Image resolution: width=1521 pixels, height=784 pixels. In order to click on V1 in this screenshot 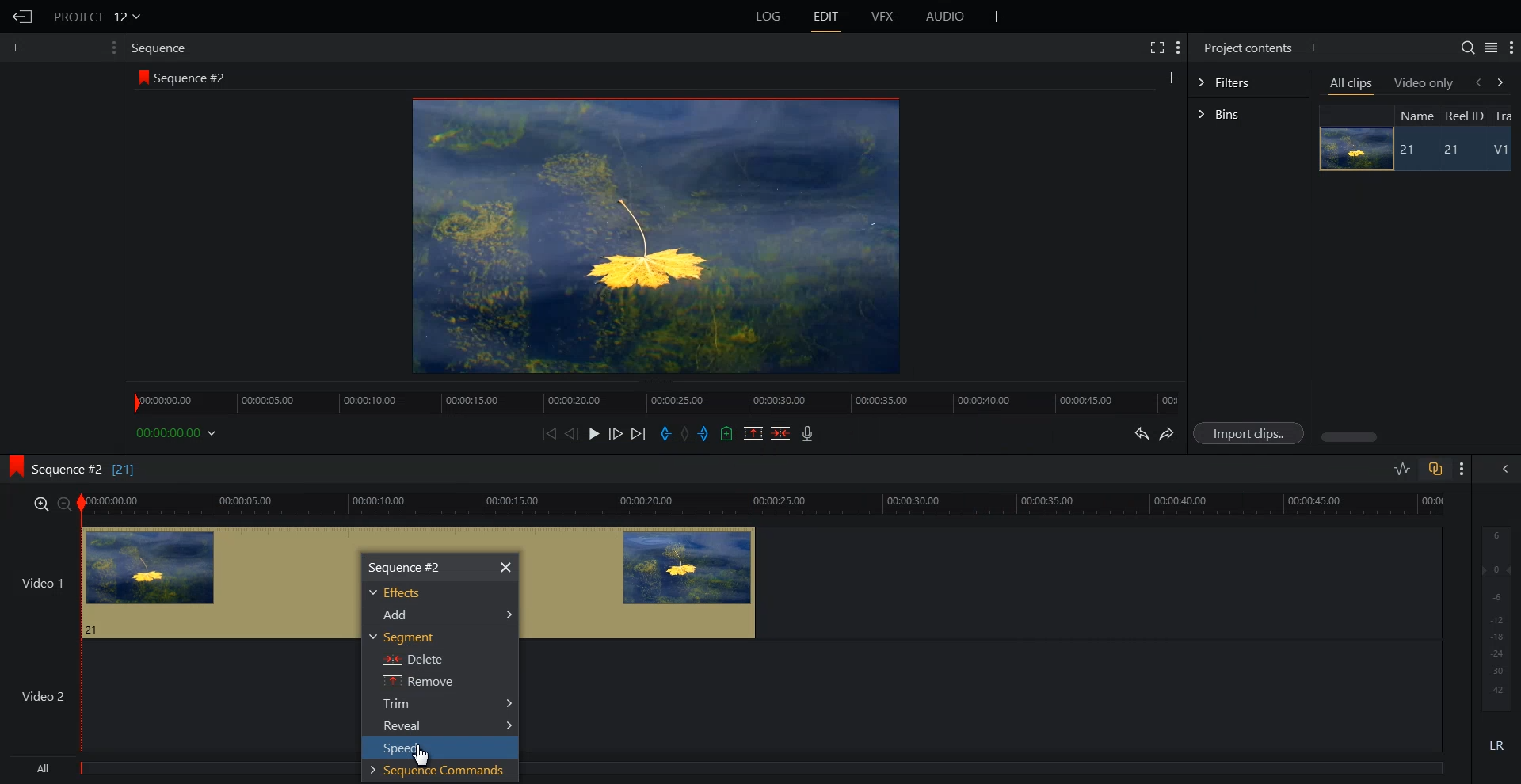, I will do `click(1503, 151)`.